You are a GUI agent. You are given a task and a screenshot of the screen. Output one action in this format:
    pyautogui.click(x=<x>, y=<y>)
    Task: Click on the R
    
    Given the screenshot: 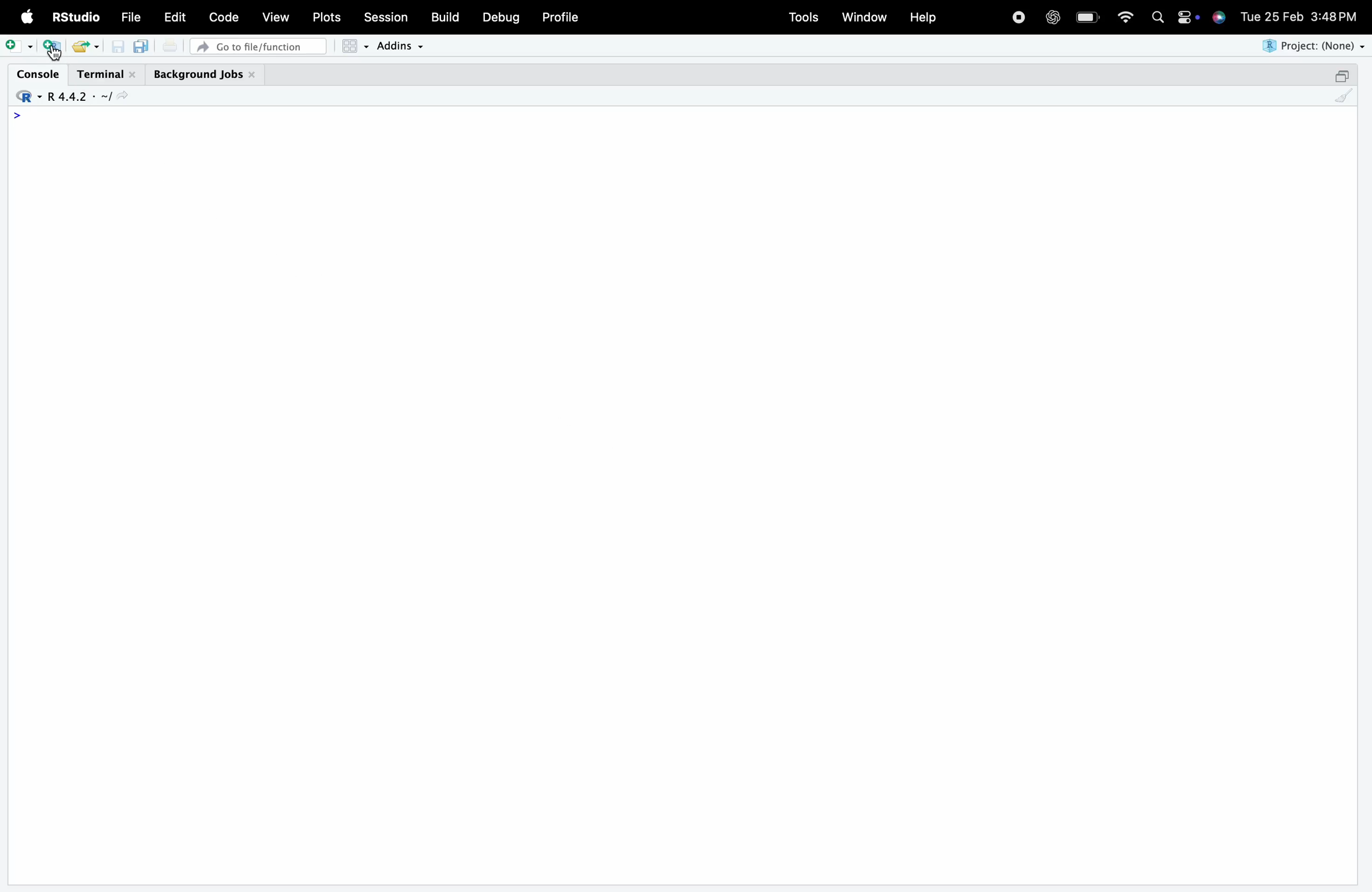 What is the action you would take?
    pyautogui.click(x=27, y=97)
    